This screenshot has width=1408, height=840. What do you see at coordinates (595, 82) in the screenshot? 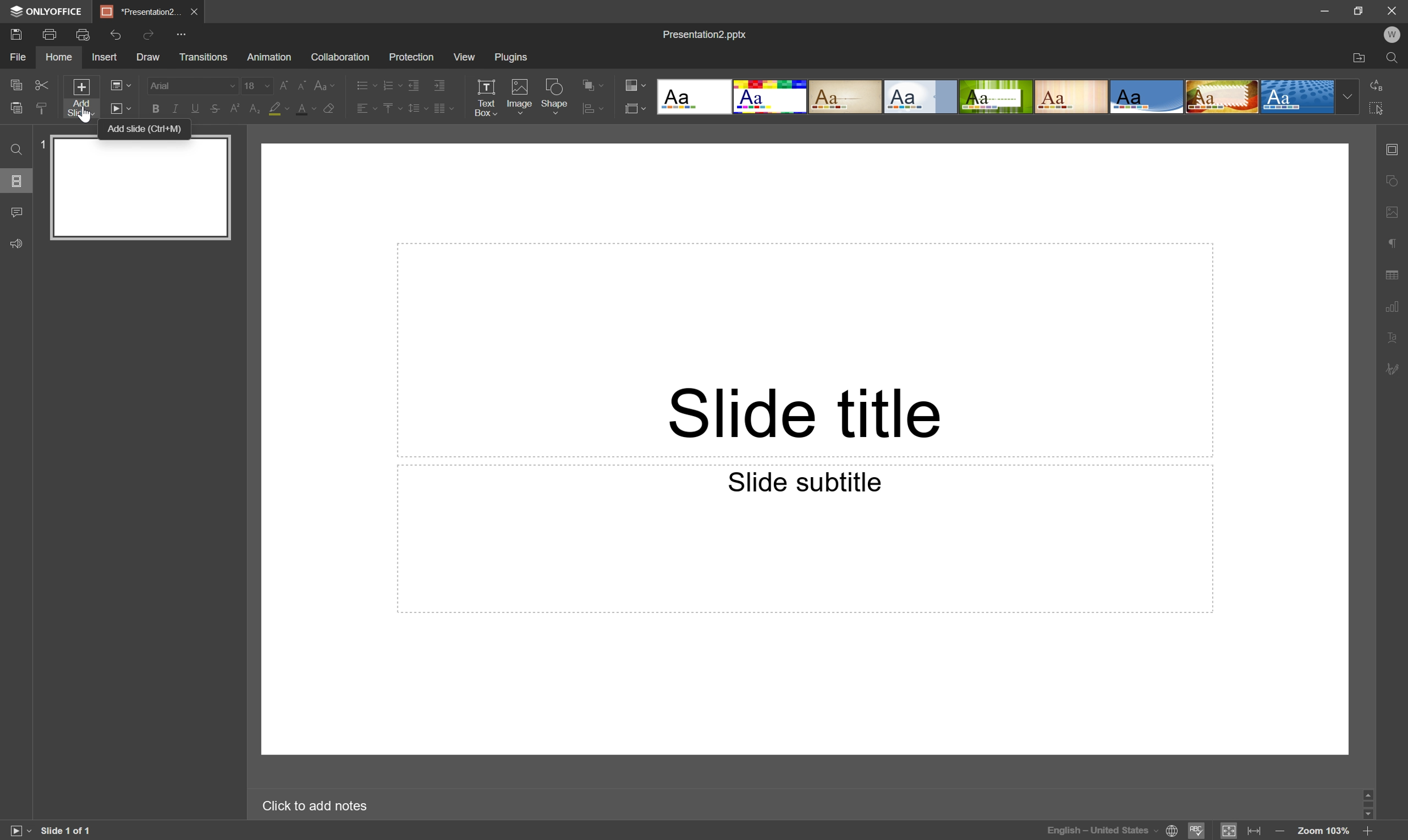
I see `Align shape` at bounding box center [595, 82].